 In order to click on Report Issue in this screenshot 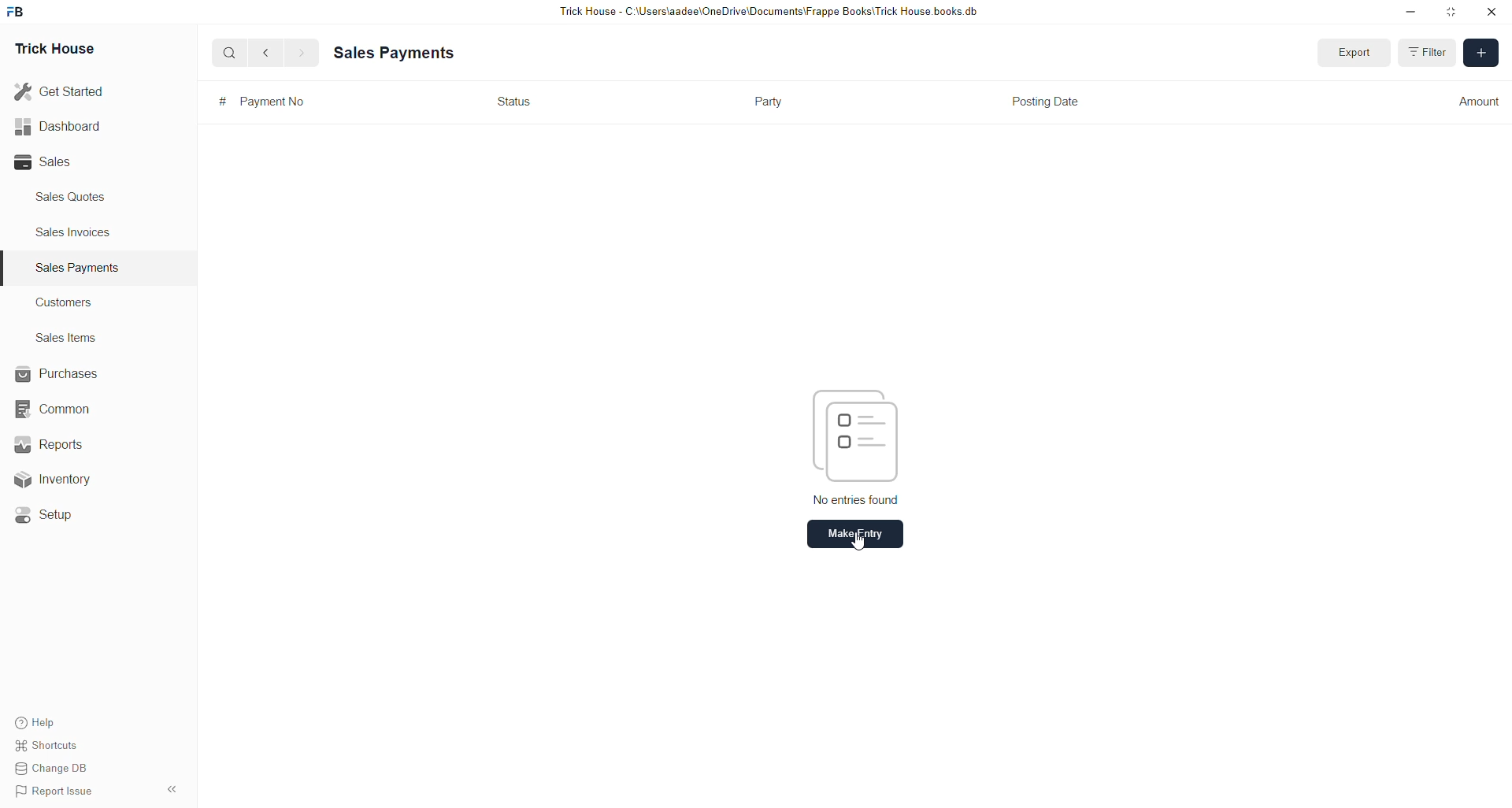, I will do `click(57, 791)`.